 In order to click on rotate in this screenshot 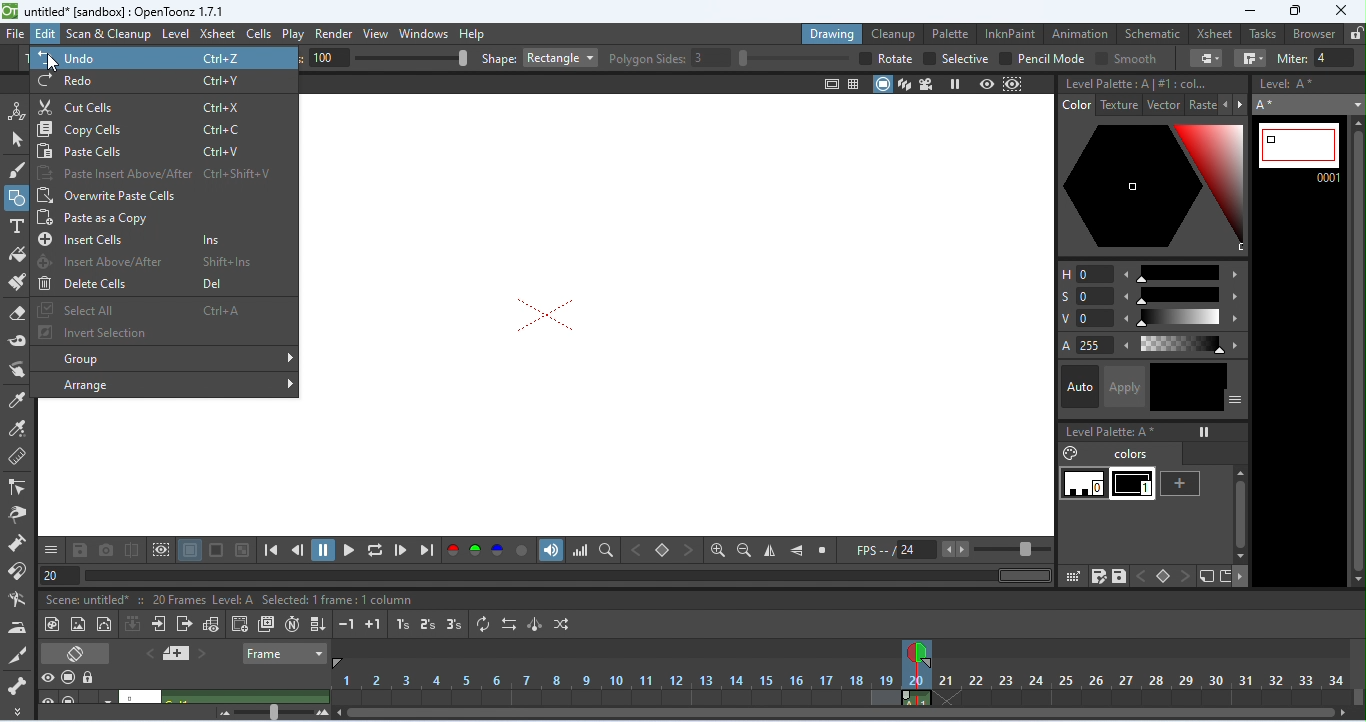, I will do `click(884, 59)`.